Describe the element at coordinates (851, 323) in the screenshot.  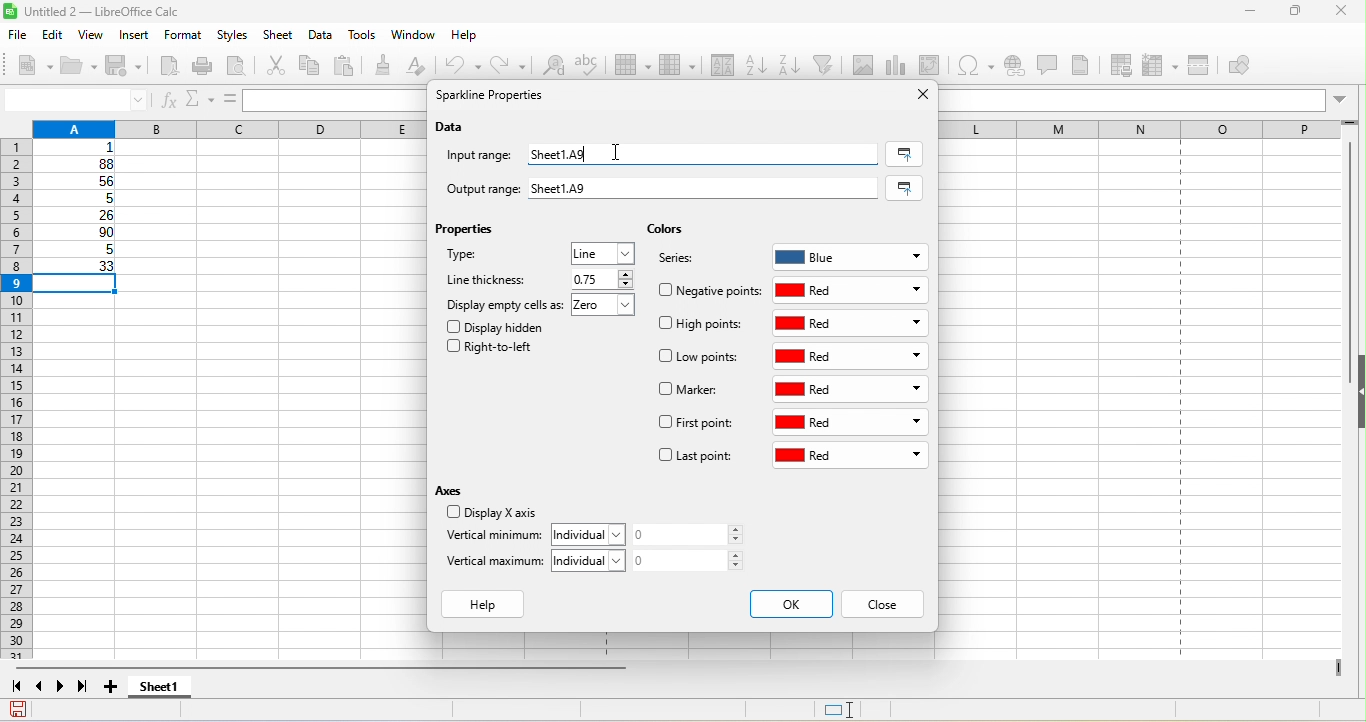
I see `red` at that location.